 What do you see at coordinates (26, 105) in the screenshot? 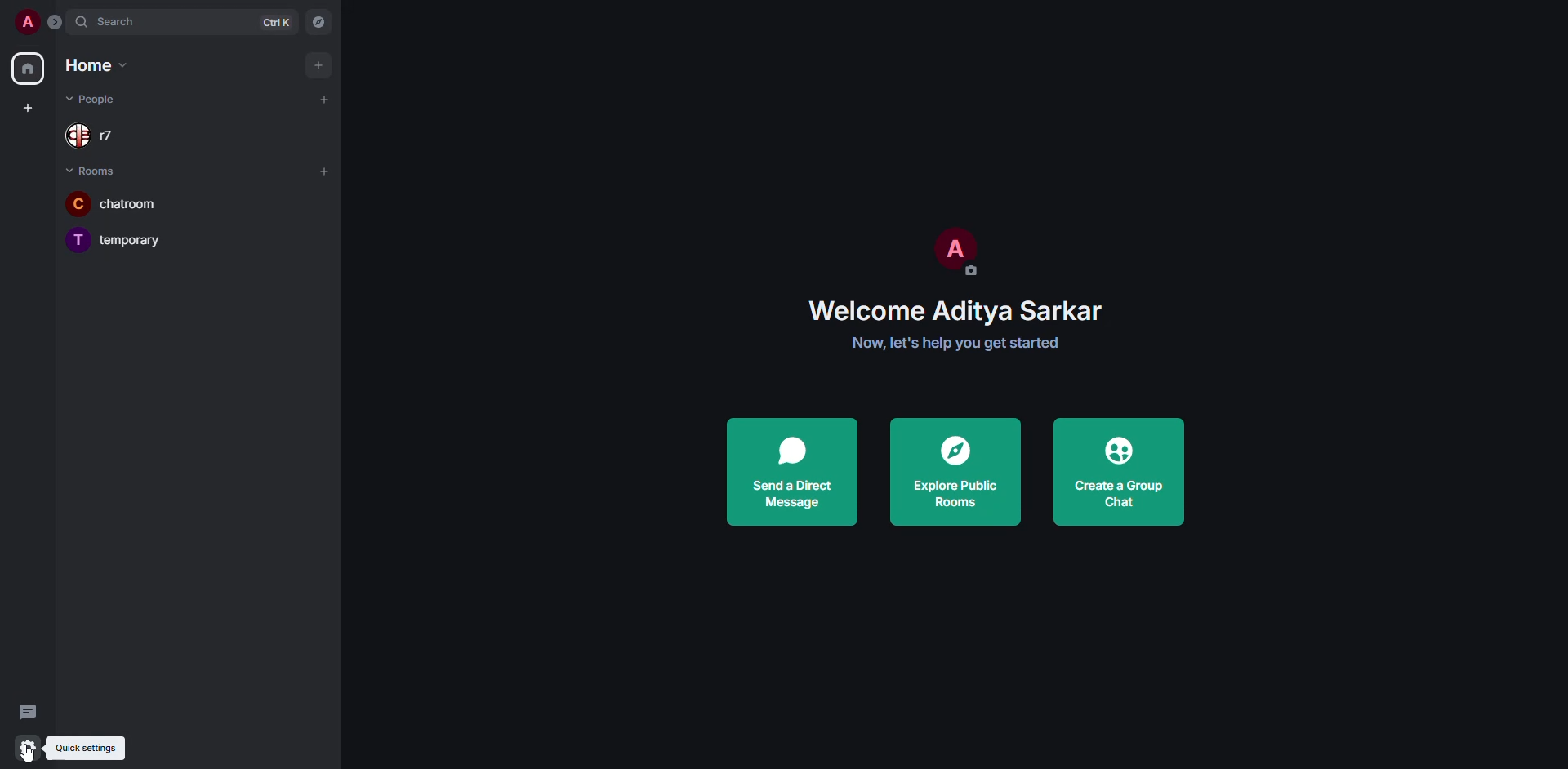
I see `create space` at bounding box center [26, 105].